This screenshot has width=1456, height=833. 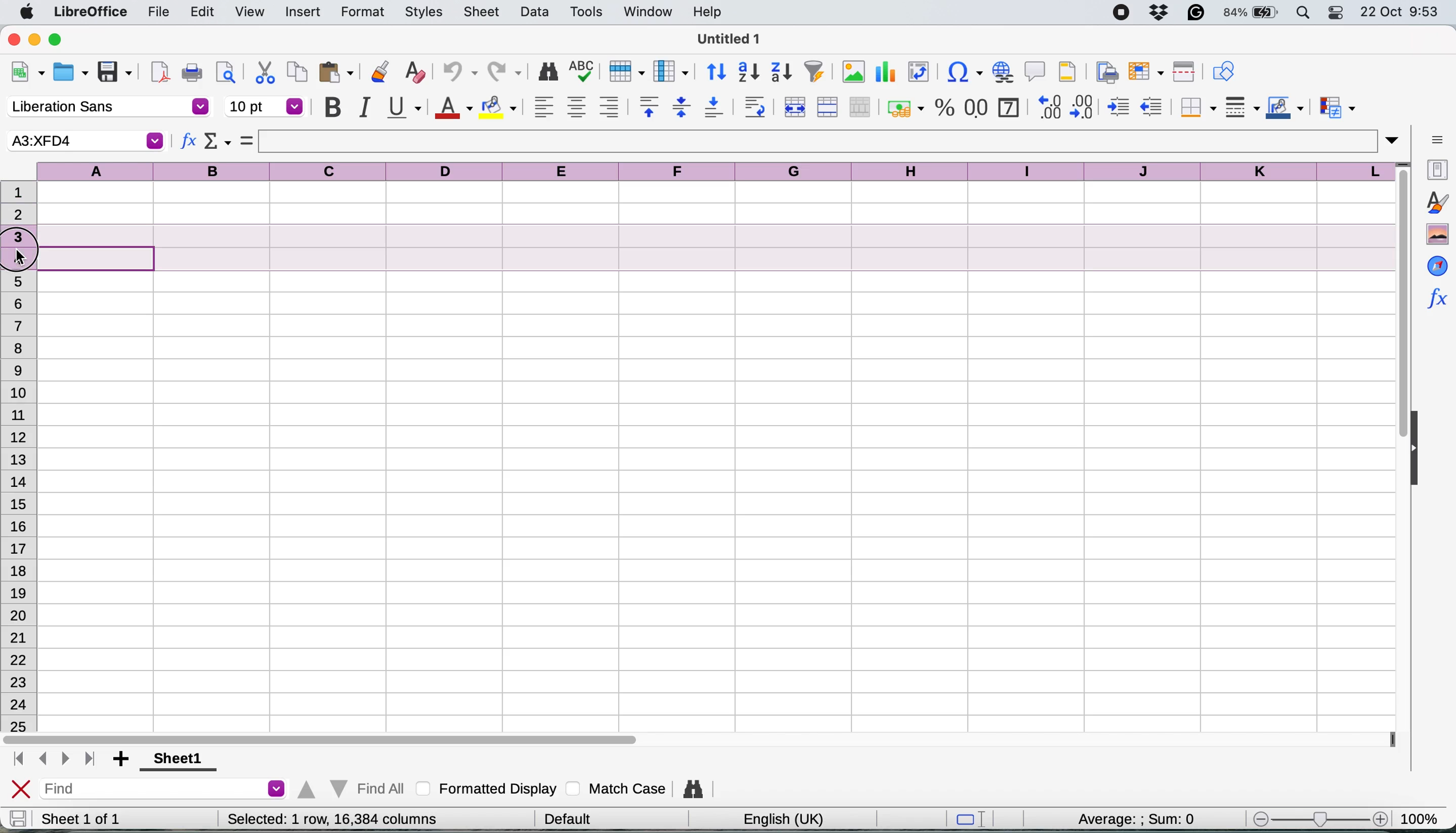 What do you see at coordinates (1198, 12) in the screenshot?
I see `grammarly` at bounding box center [1198, 12].